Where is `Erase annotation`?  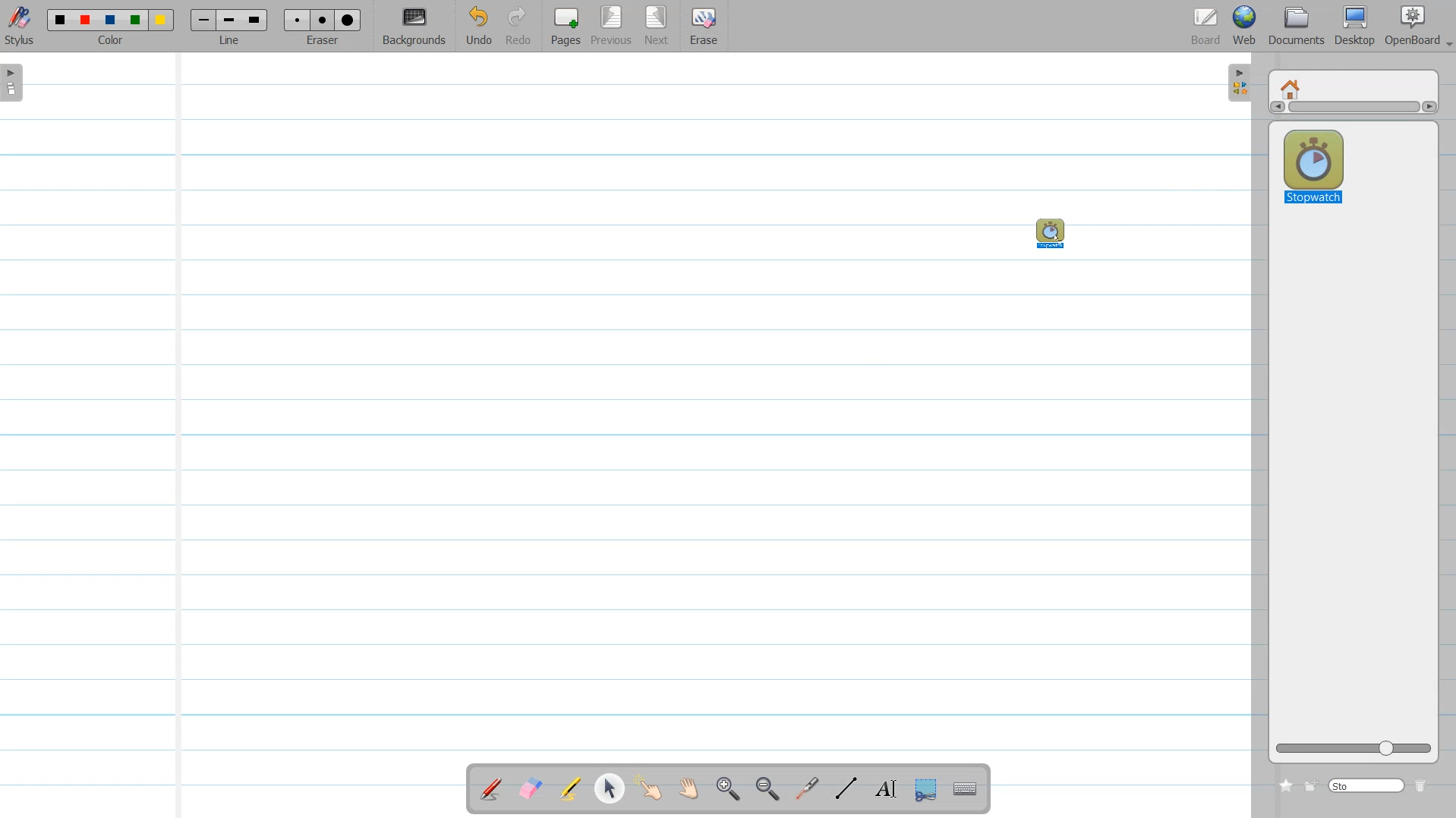 Erase annotation is located at coordinates (529, 788).